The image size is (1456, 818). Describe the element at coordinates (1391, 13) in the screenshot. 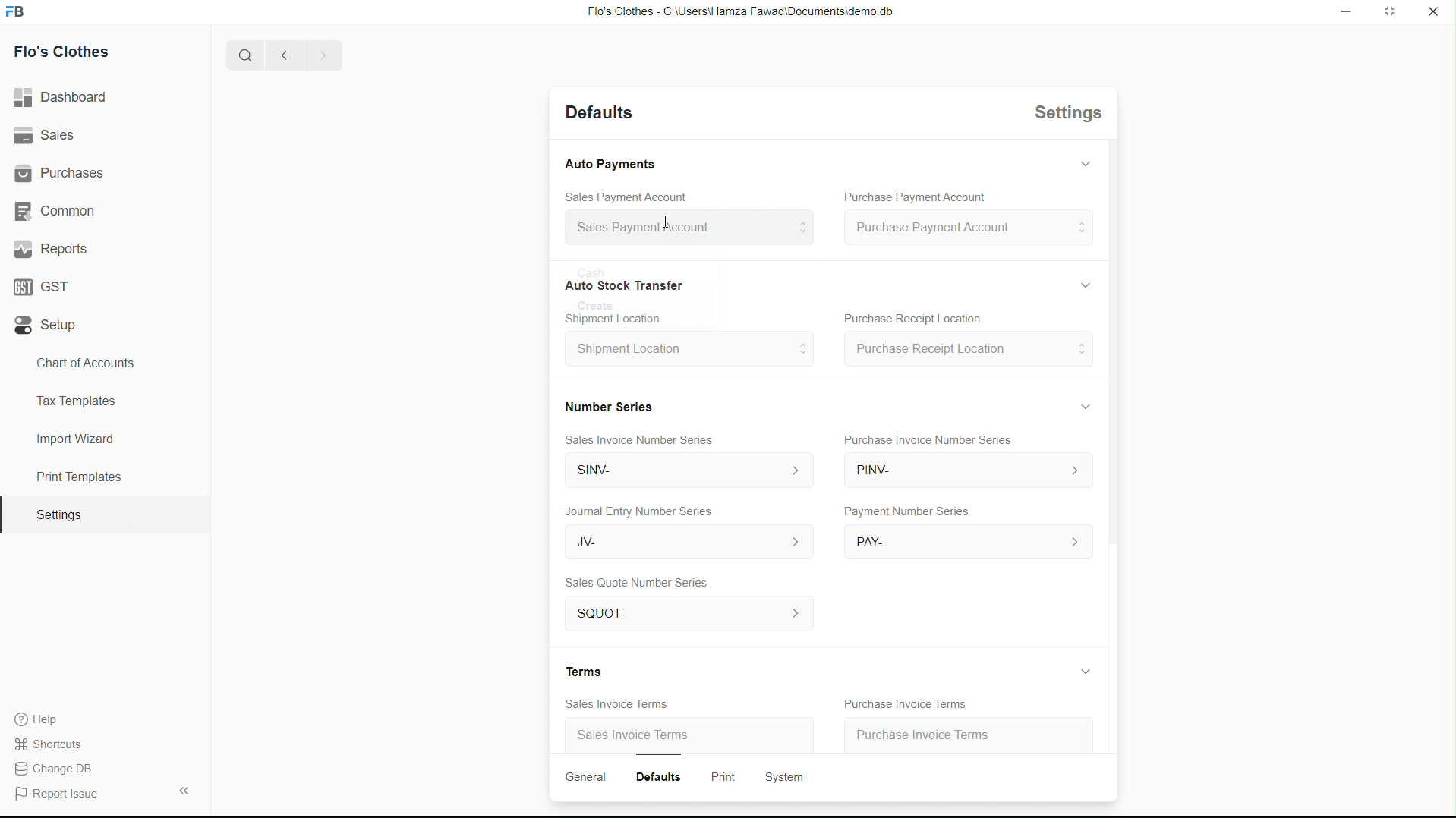

I see `Full screen` at that location.